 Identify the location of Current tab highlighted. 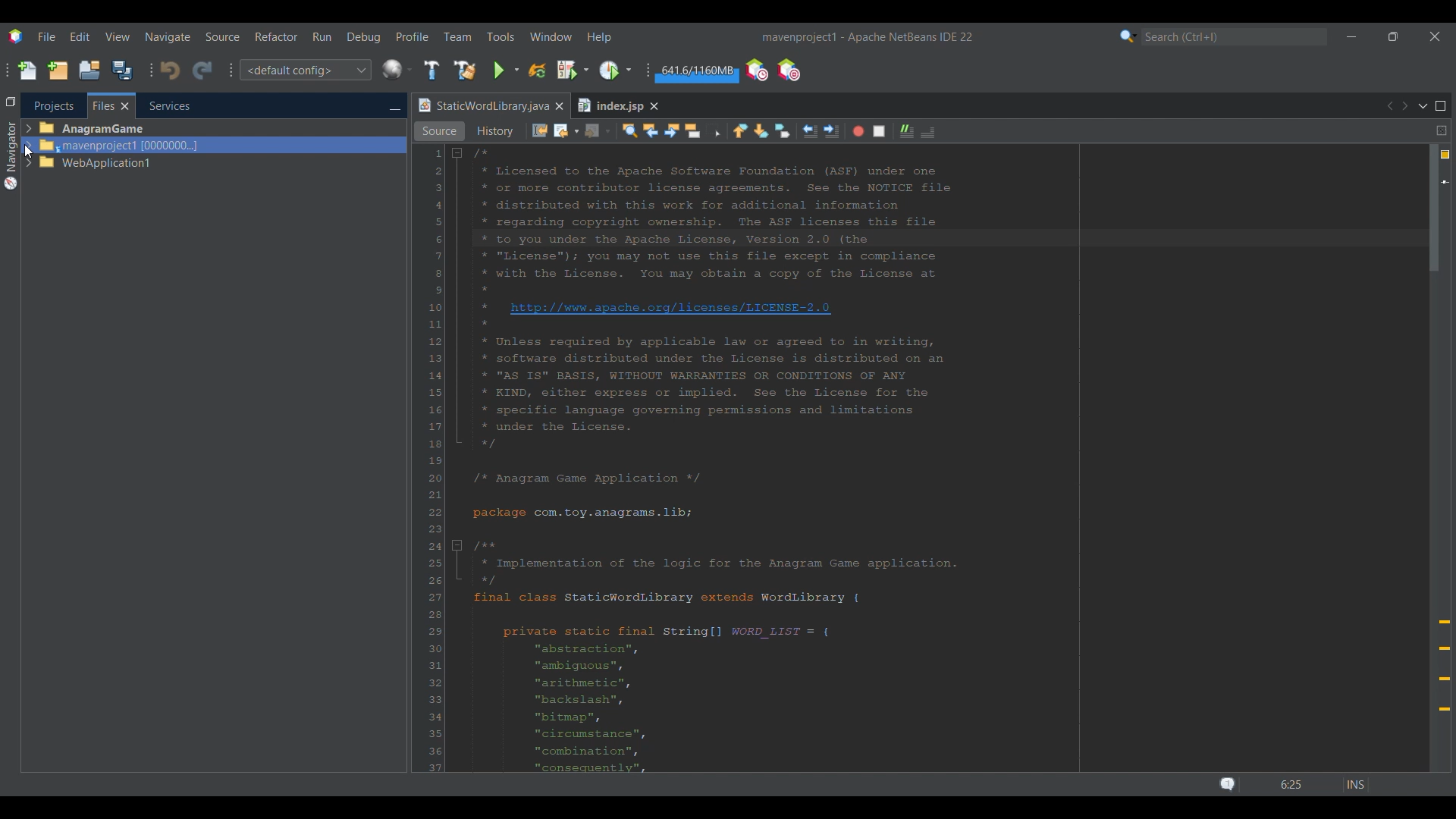
(482, 106).